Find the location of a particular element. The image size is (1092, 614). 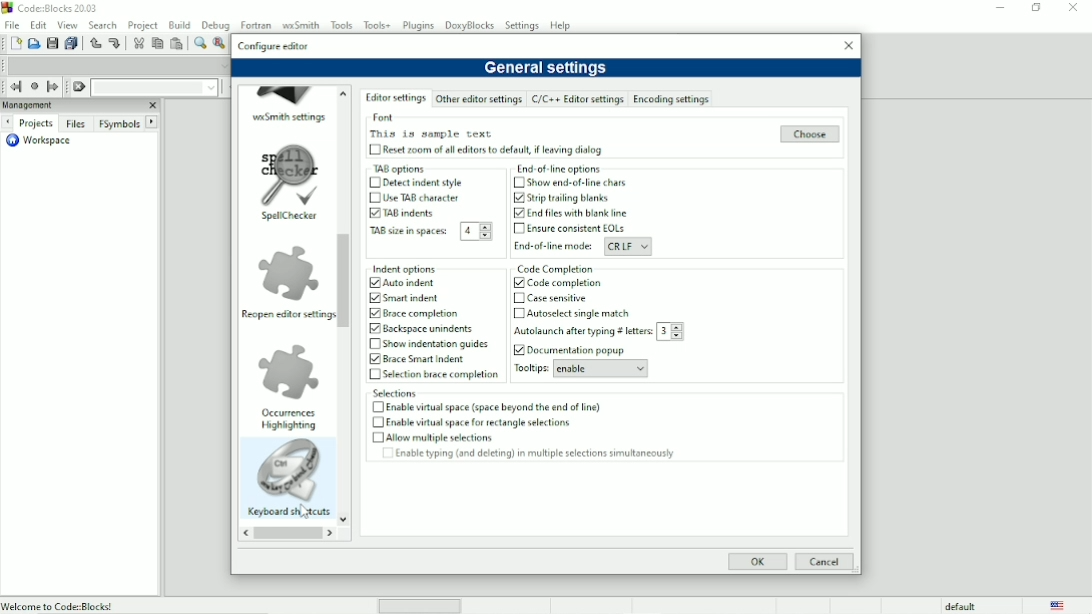

Build is located at coordinates (179, 25).